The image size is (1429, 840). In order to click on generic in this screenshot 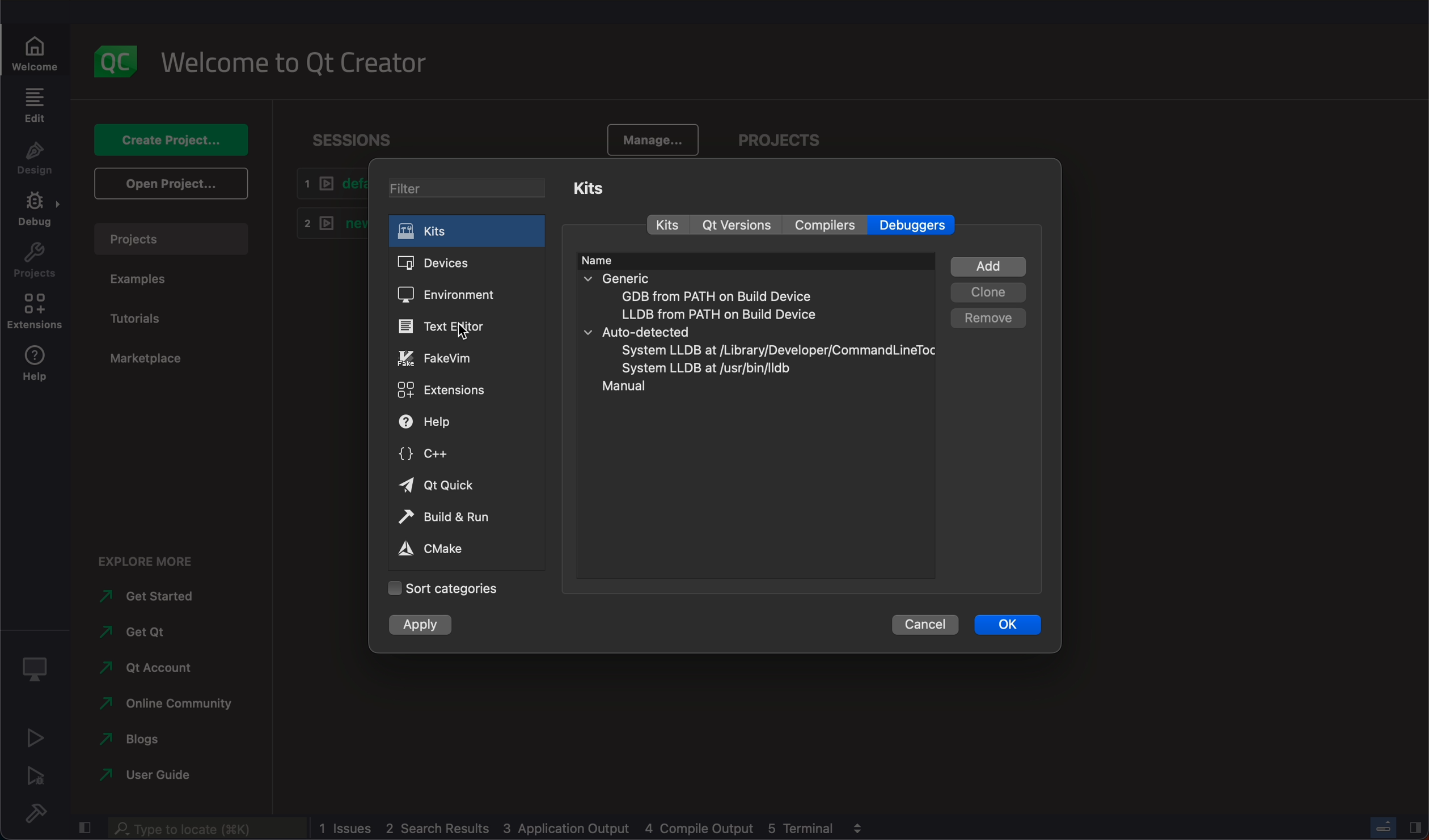, I will do `click(740, 278)`.